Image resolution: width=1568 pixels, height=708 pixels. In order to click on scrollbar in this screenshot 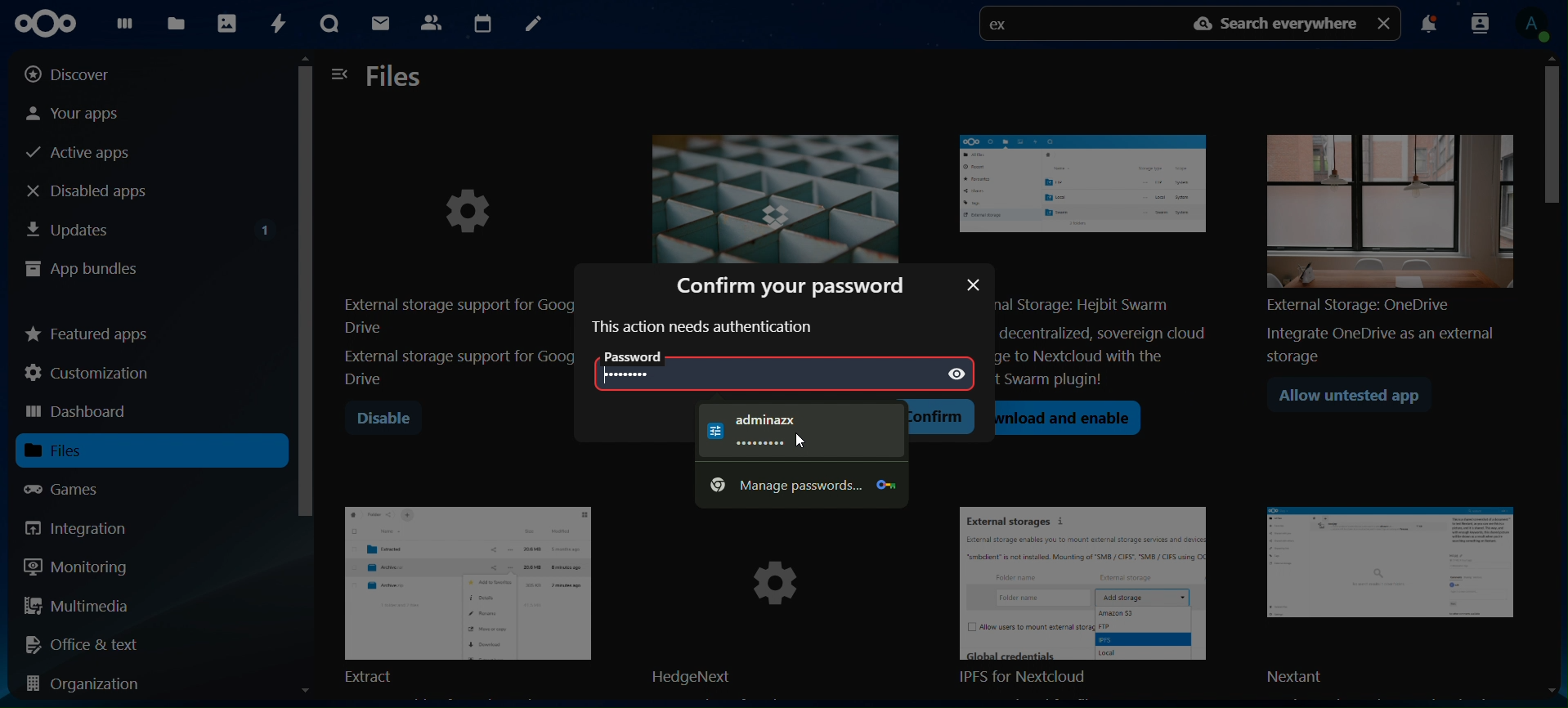, I will do `click(1553, 373)`.